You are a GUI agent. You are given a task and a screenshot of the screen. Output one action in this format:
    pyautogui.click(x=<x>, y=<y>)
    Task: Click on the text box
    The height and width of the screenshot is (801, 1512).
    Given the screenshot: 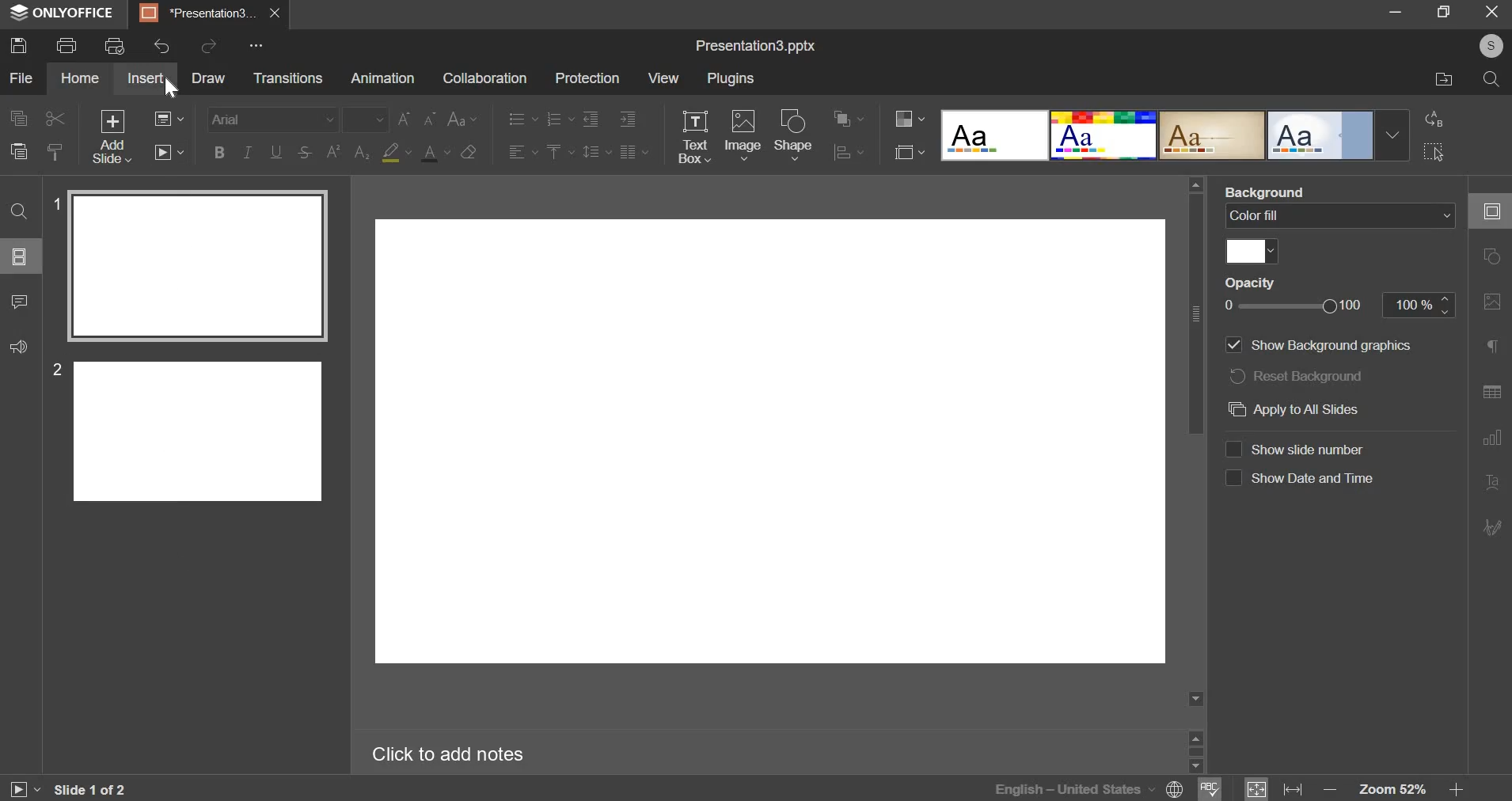 What is the action you would take?
    pyautogui.click(x=693, y=136)
    